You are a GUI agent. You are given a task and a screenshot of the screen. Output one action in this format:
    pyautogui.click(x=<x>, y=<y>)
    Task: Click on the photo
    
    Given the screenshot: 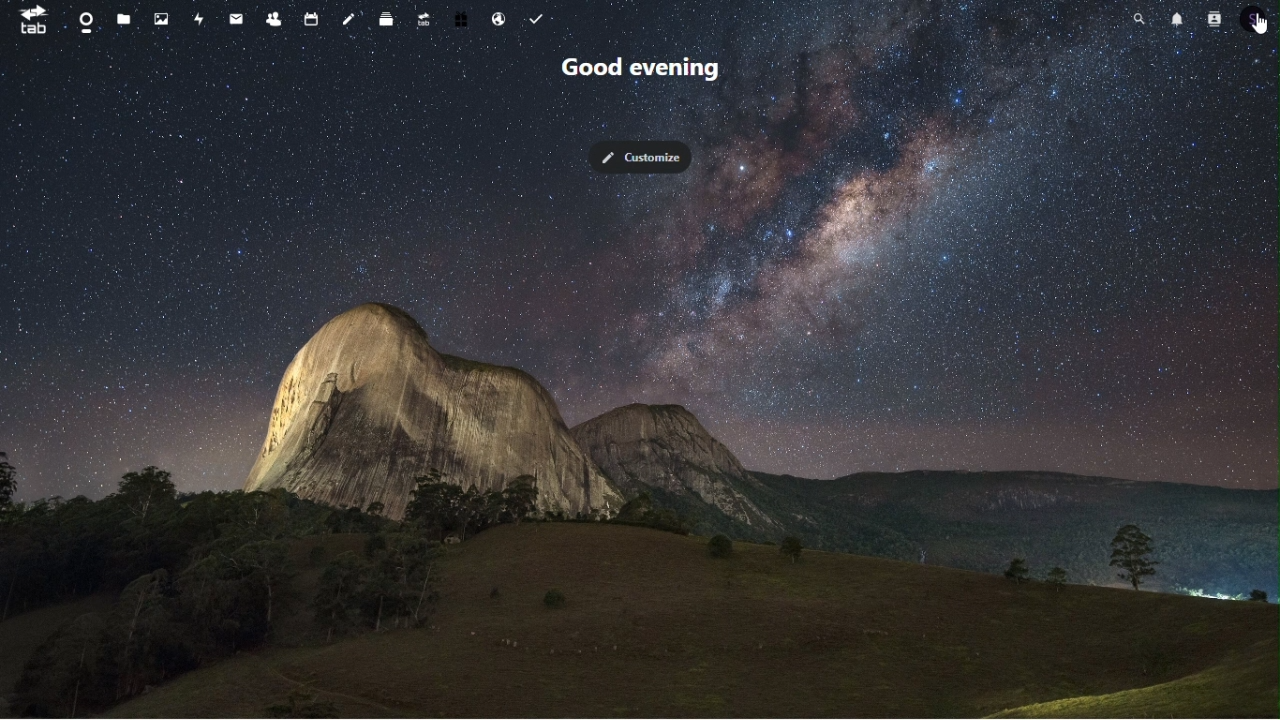 What is the action you would take?
    pyautogui.click(x=161, y=18)
    